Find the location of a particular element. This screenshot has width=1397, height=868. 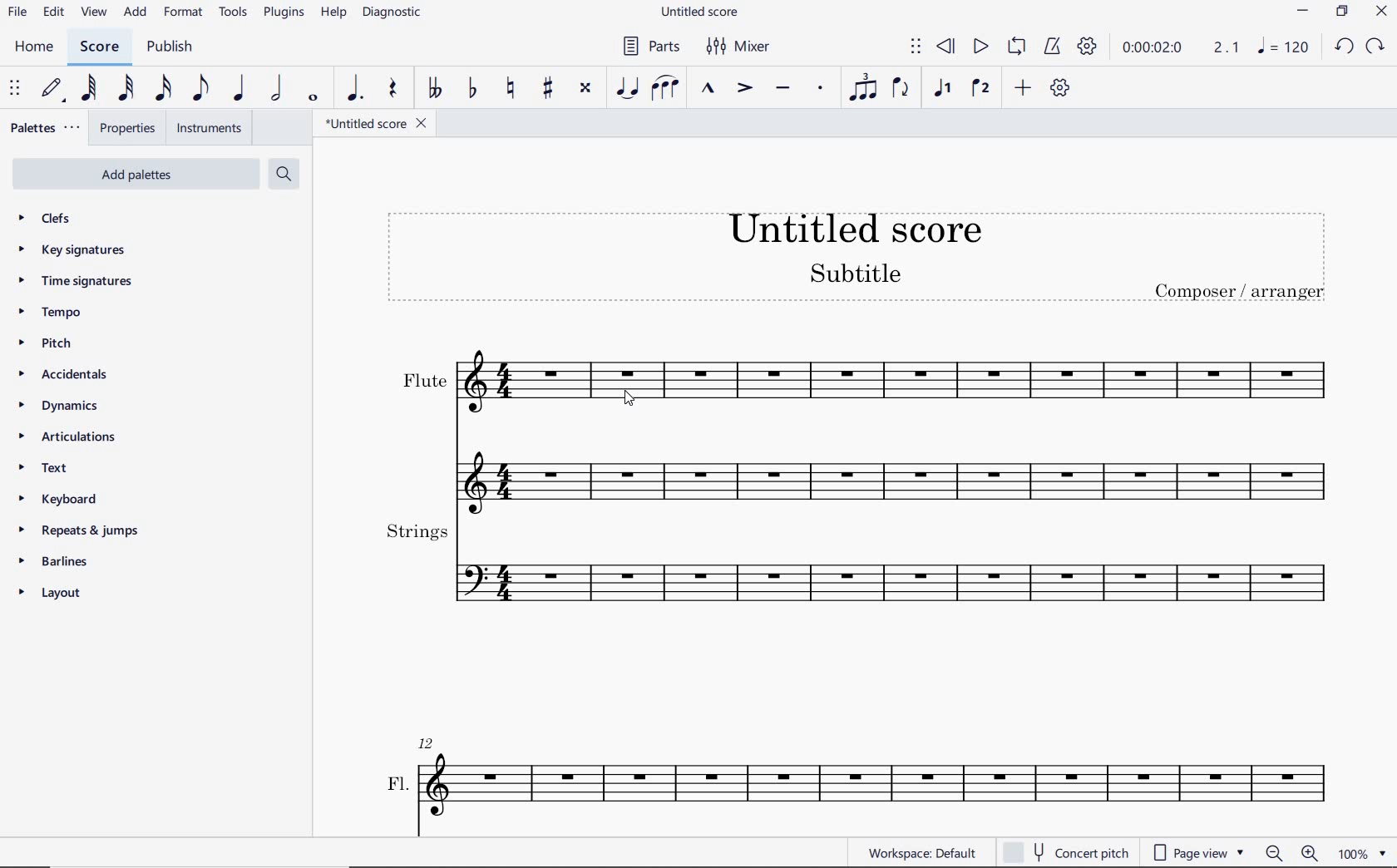

view is located at coordinates (91, 13).